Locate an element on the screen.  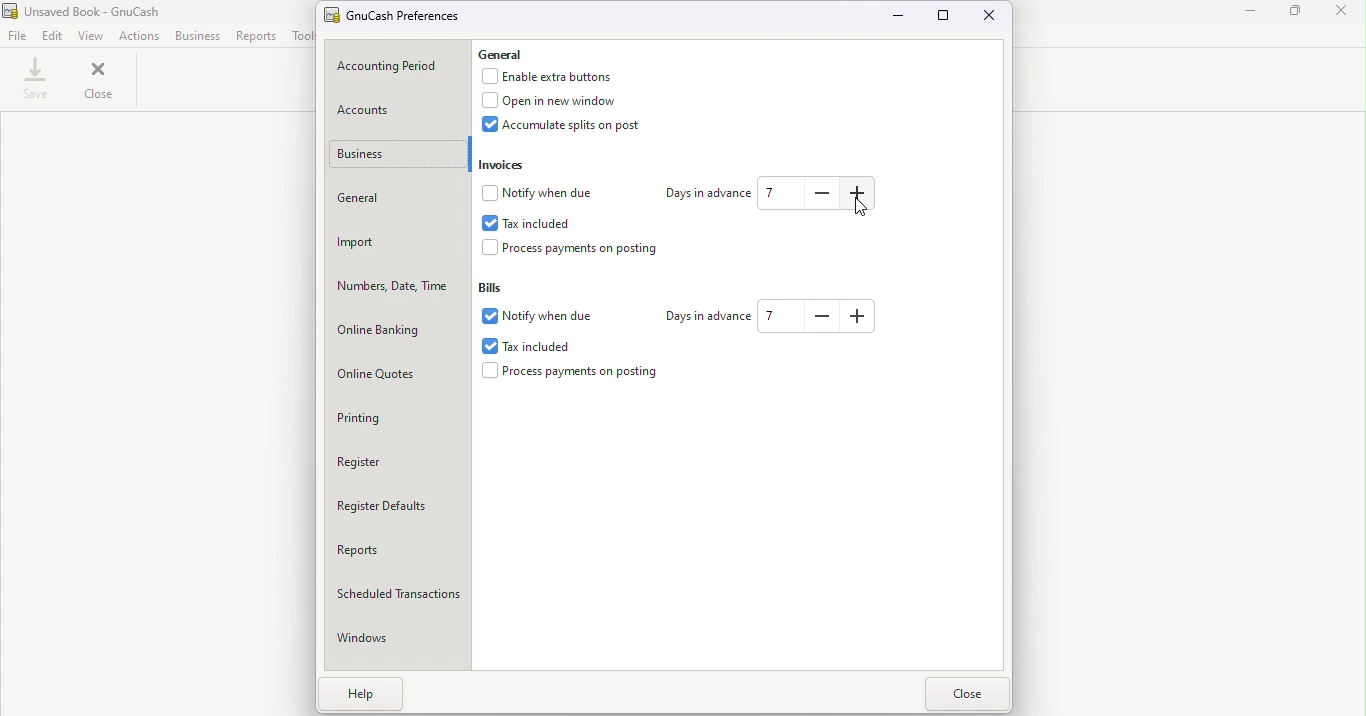
View is located at coordinates (92, 35).